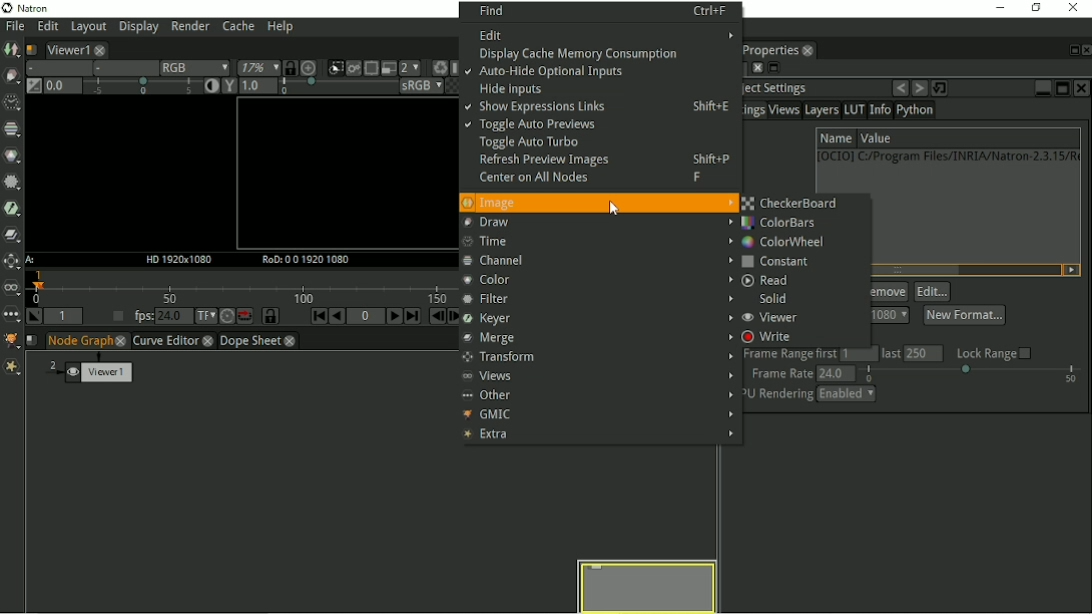 The image size is (1092, 614). I want to click on sRGB, so click(409, 86).